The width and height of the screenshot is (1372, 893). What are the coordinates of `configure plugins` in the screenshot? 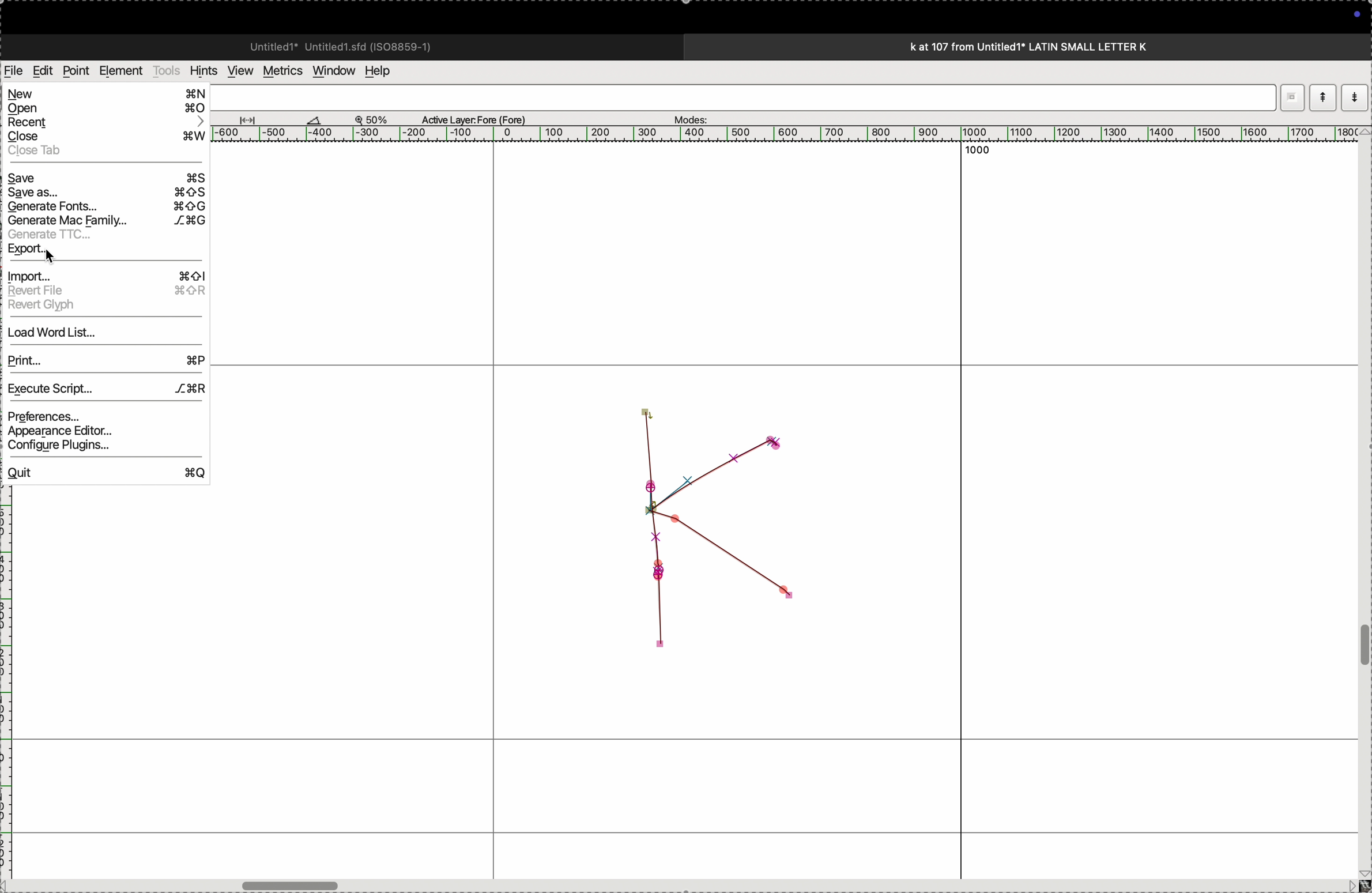 It's located at (101, 450).